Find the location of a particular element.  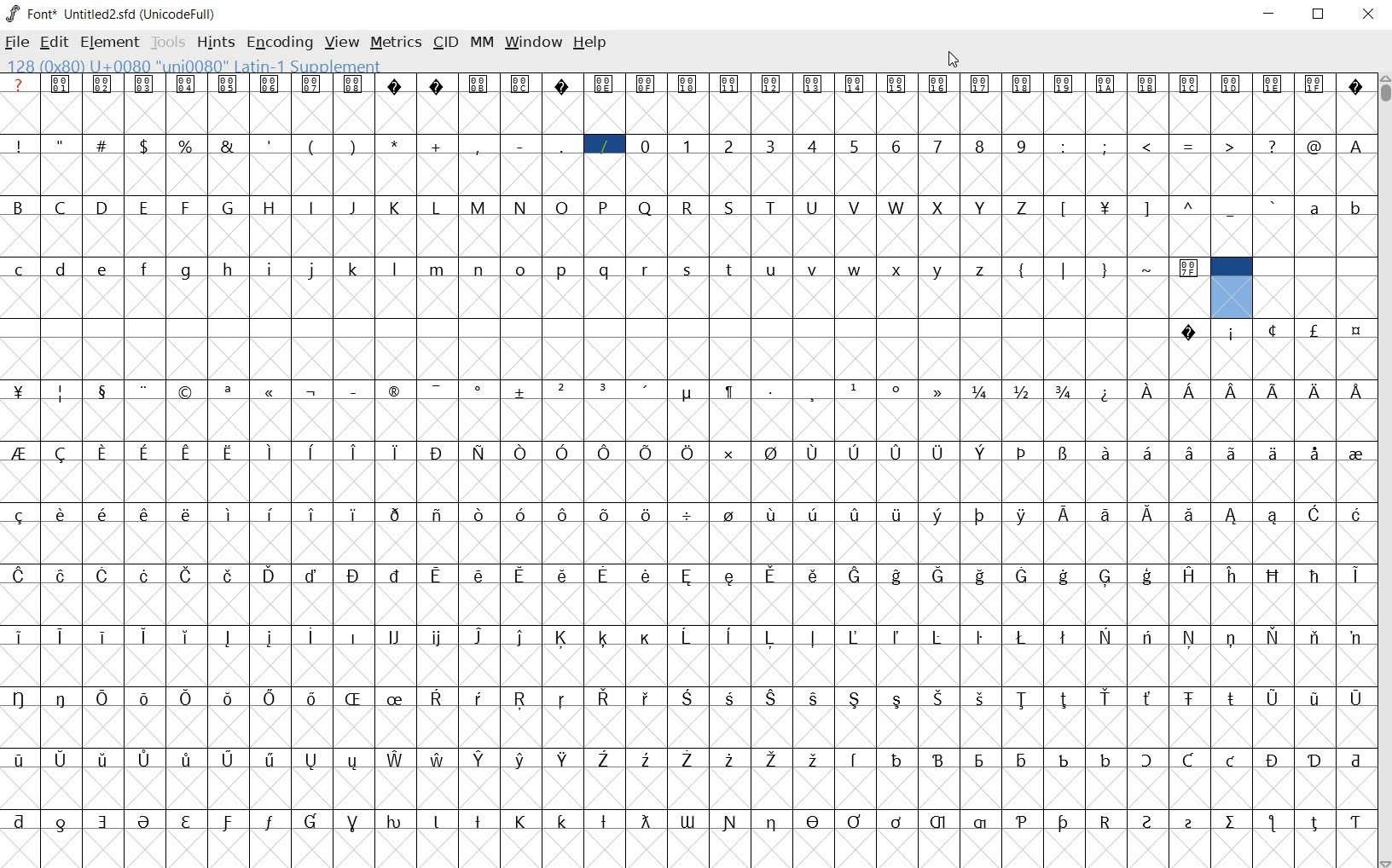

Symbol is located at coordinates (439, 391).